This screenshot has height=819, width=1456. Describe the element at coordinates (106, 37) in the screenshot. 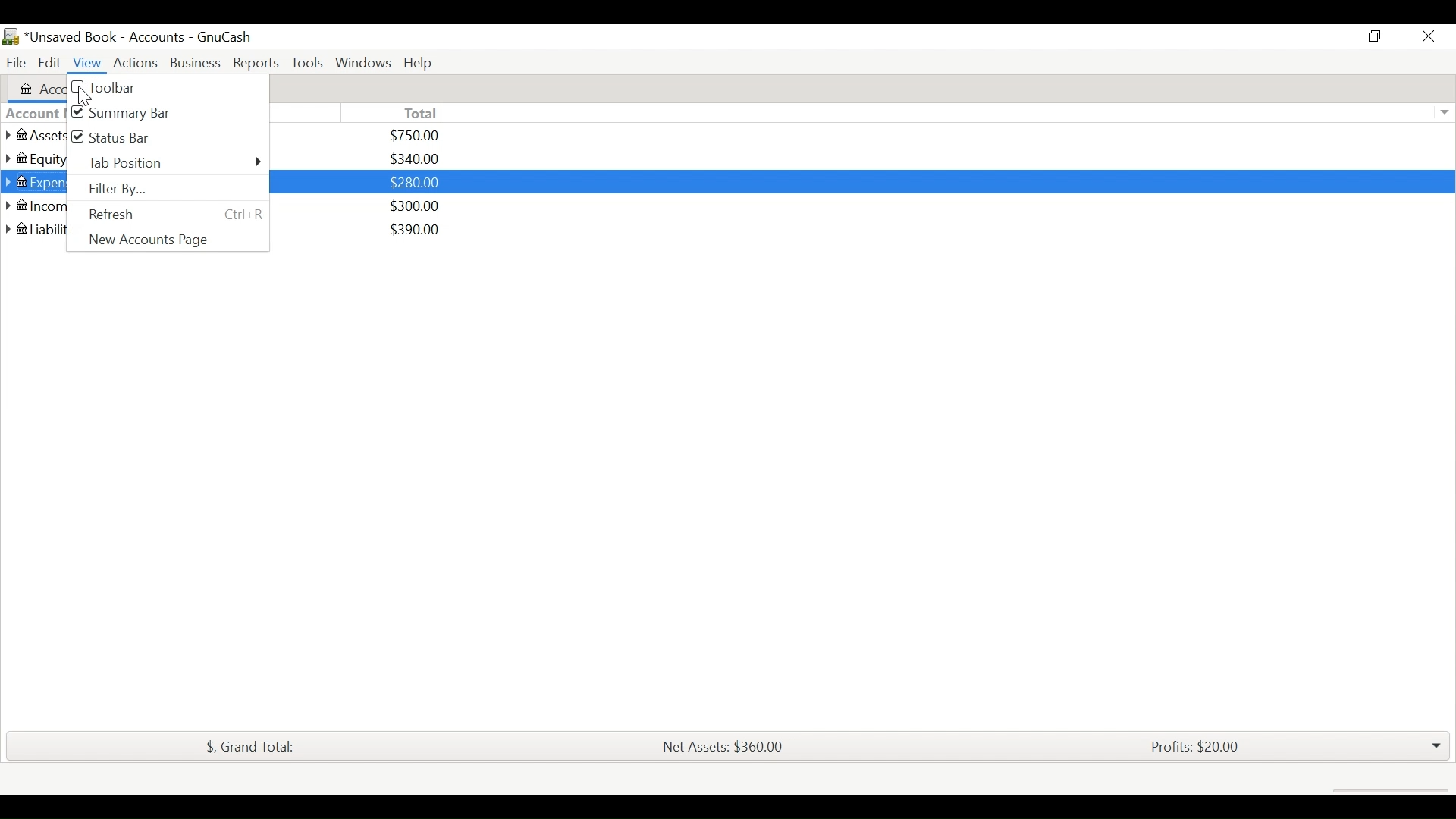

I see `Account book name` at that location.